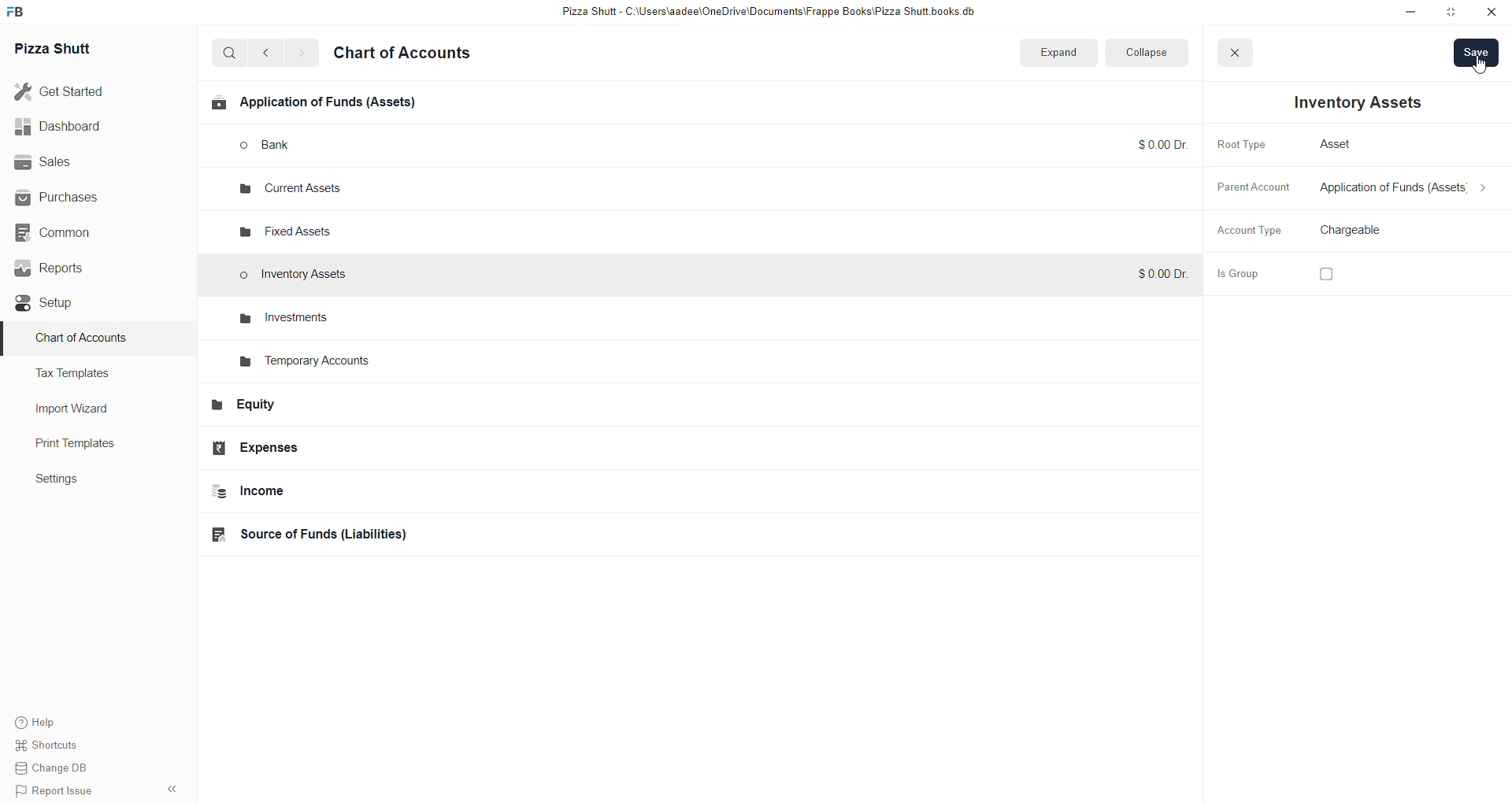 The height and width of the screenshot is (803, 1512). What do you see at coordinates (324, 409) in the screenshot?
I see `Equity ` at bounding box center [324, 409].